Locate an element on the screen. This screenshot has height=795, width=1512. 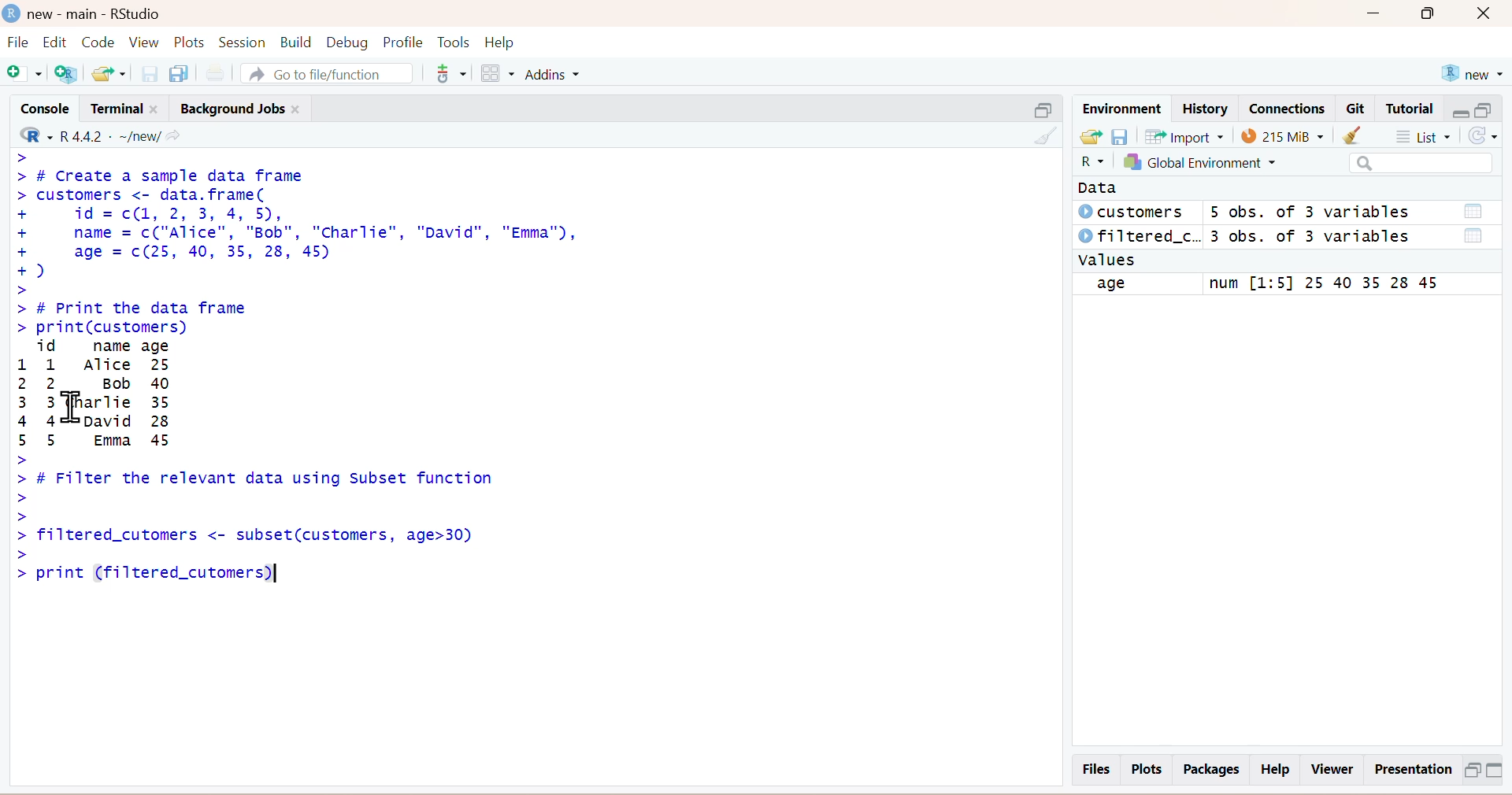
Background Jobs is located at coordinates (243, 105).